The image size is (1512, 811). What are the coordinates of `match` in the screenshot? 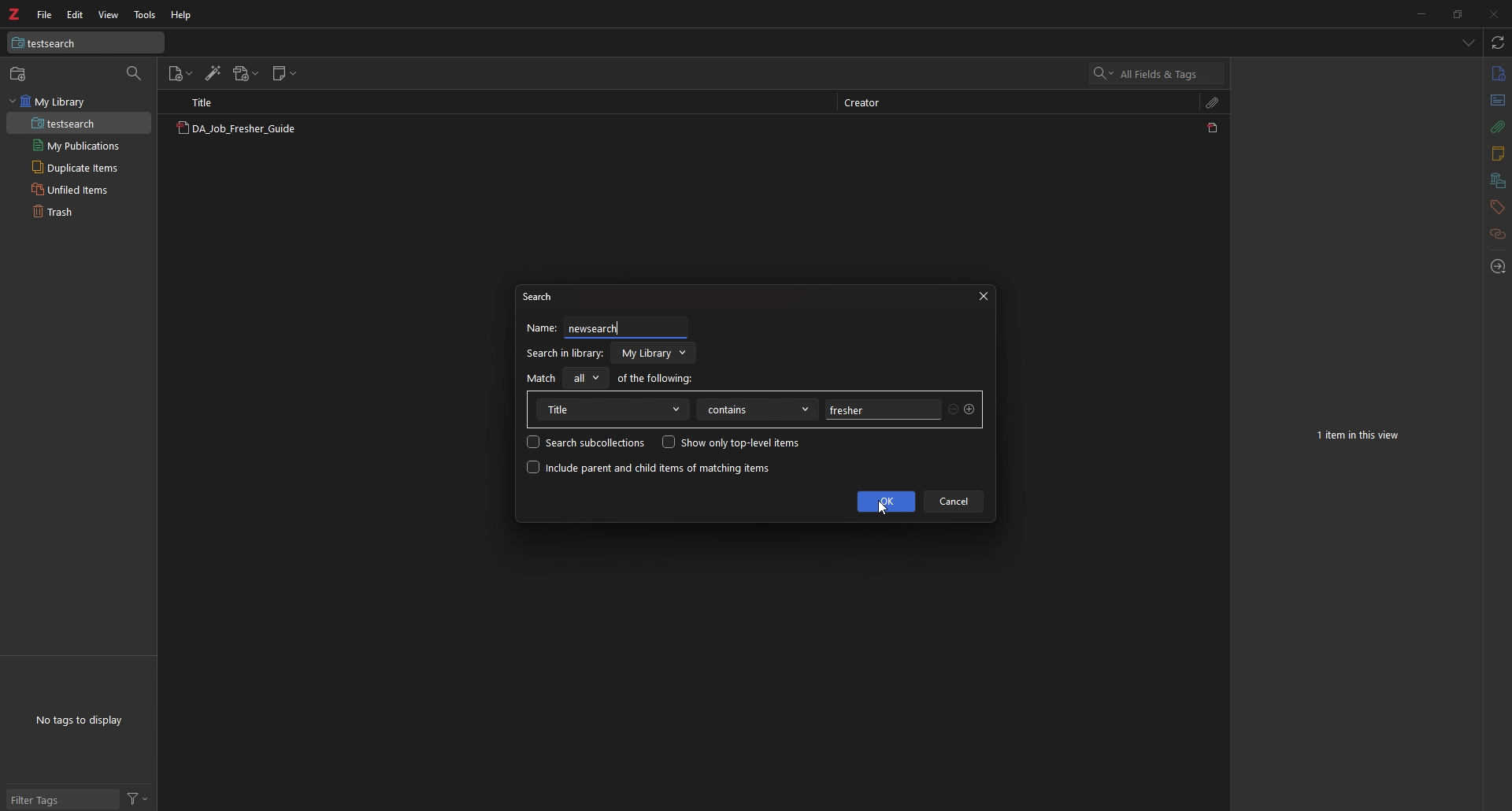 It's located at (542, 378).